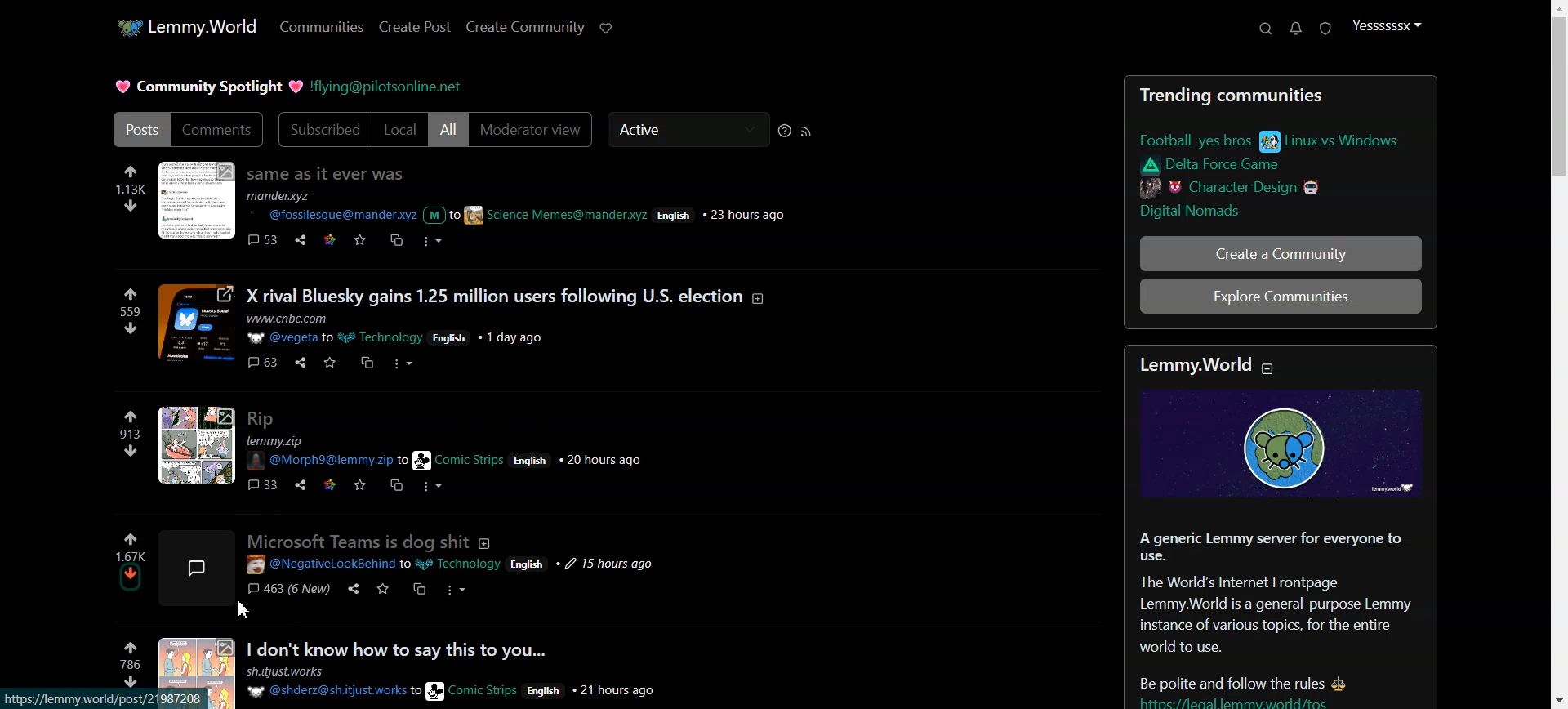 Image resolution: width=1568 pixels, height=709 pixels. I want to click on Posts, so click(461, 671).